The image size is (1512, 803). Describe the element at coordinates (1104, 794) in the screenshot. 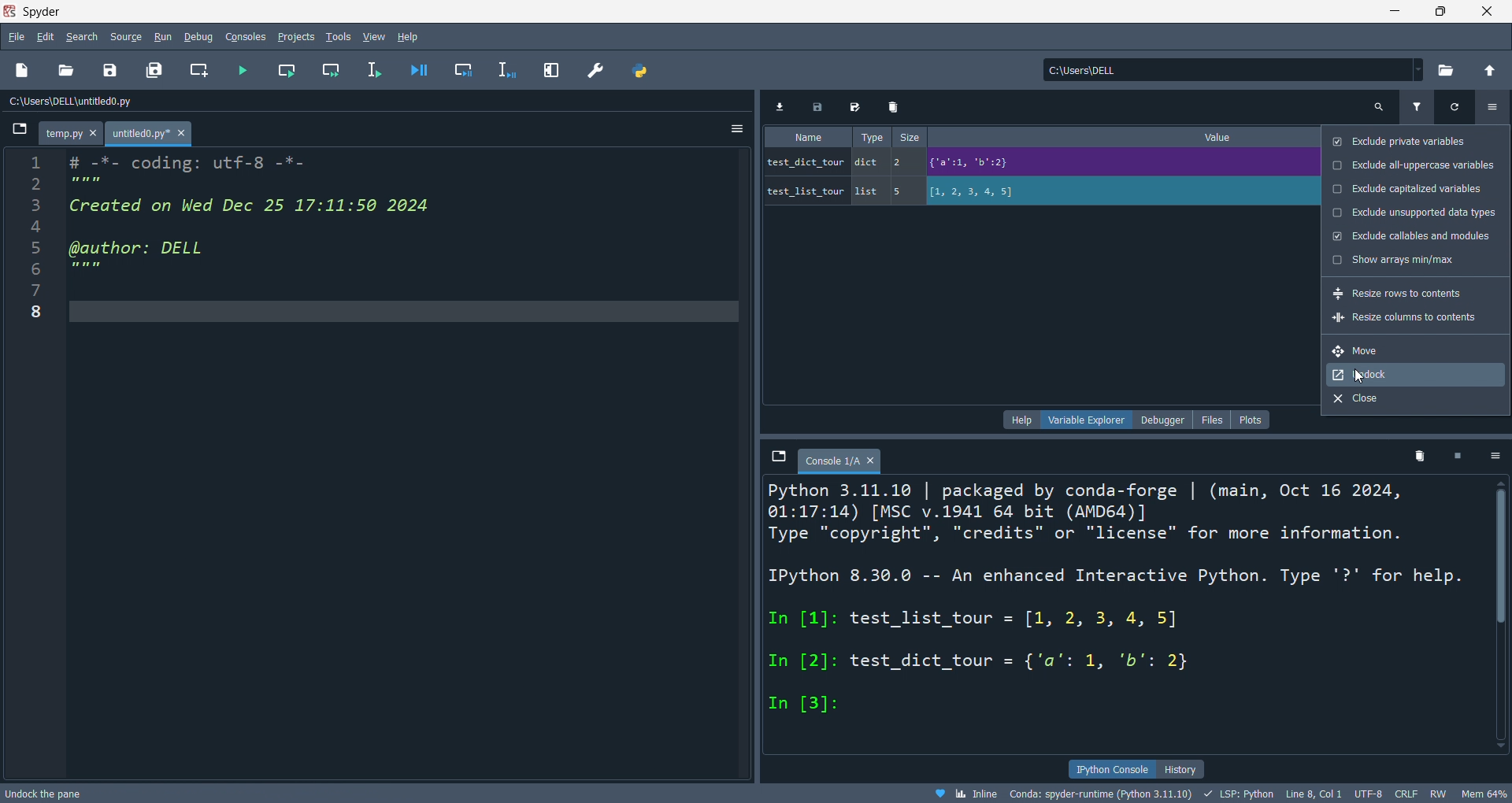

I see `Conds: spyder-runtime(Python3.11.10)` at that location.